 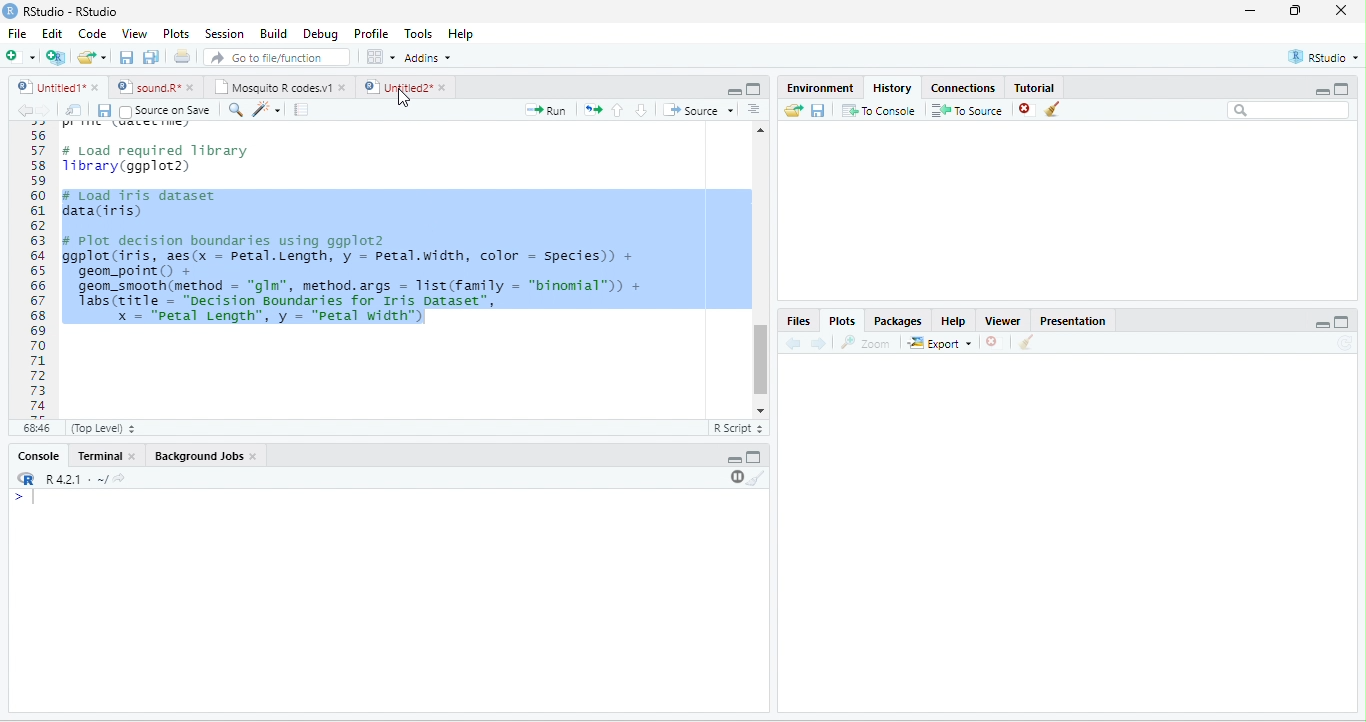 What do you see at coordinates (735, 460) in the screenshot?
I see `minimize` at bounding box center [735, 460].